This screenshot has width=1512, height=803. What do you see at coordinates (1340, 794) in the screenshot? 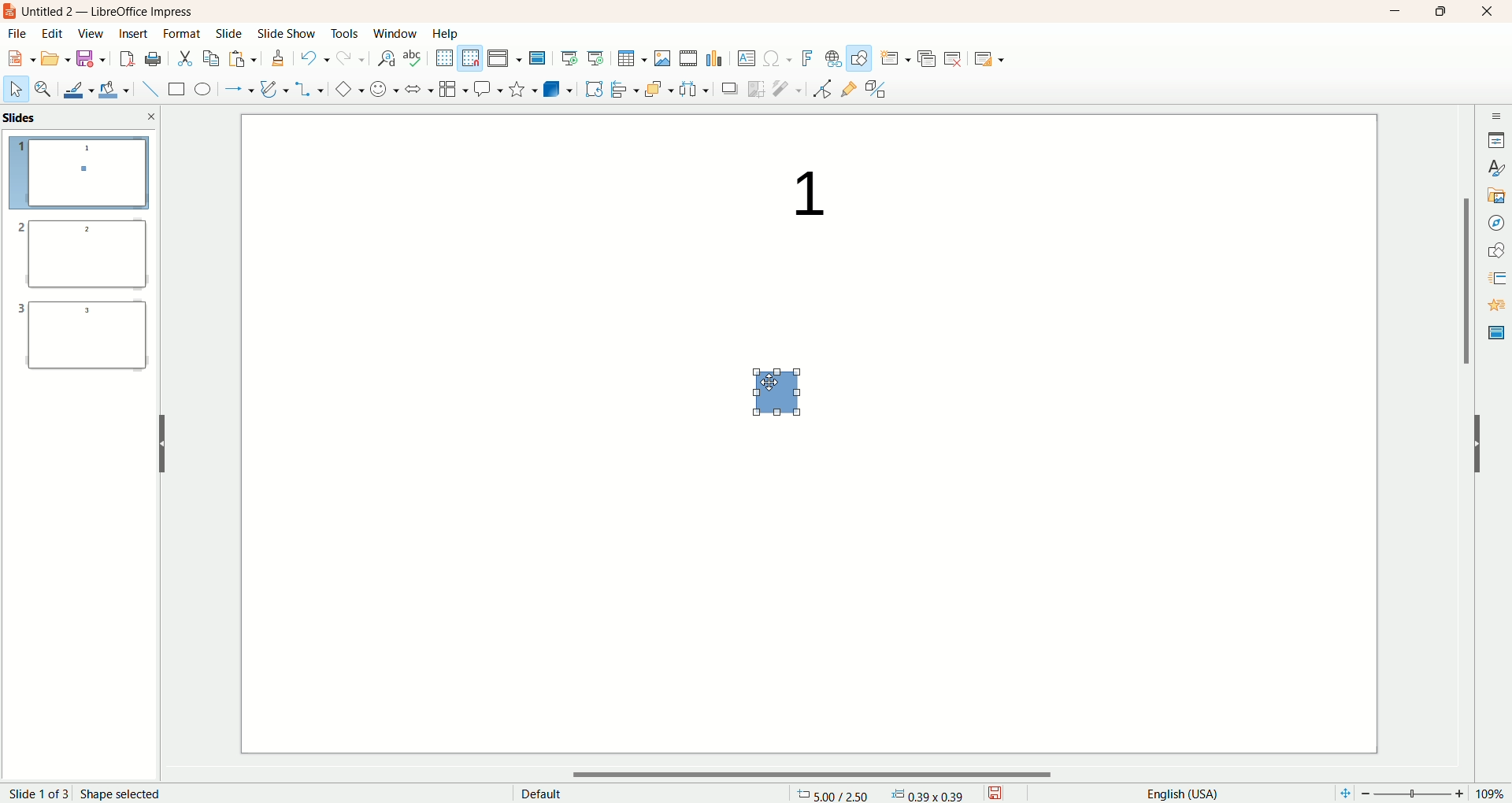
I see `fit page to current window` at bounding box center [1340, 794].